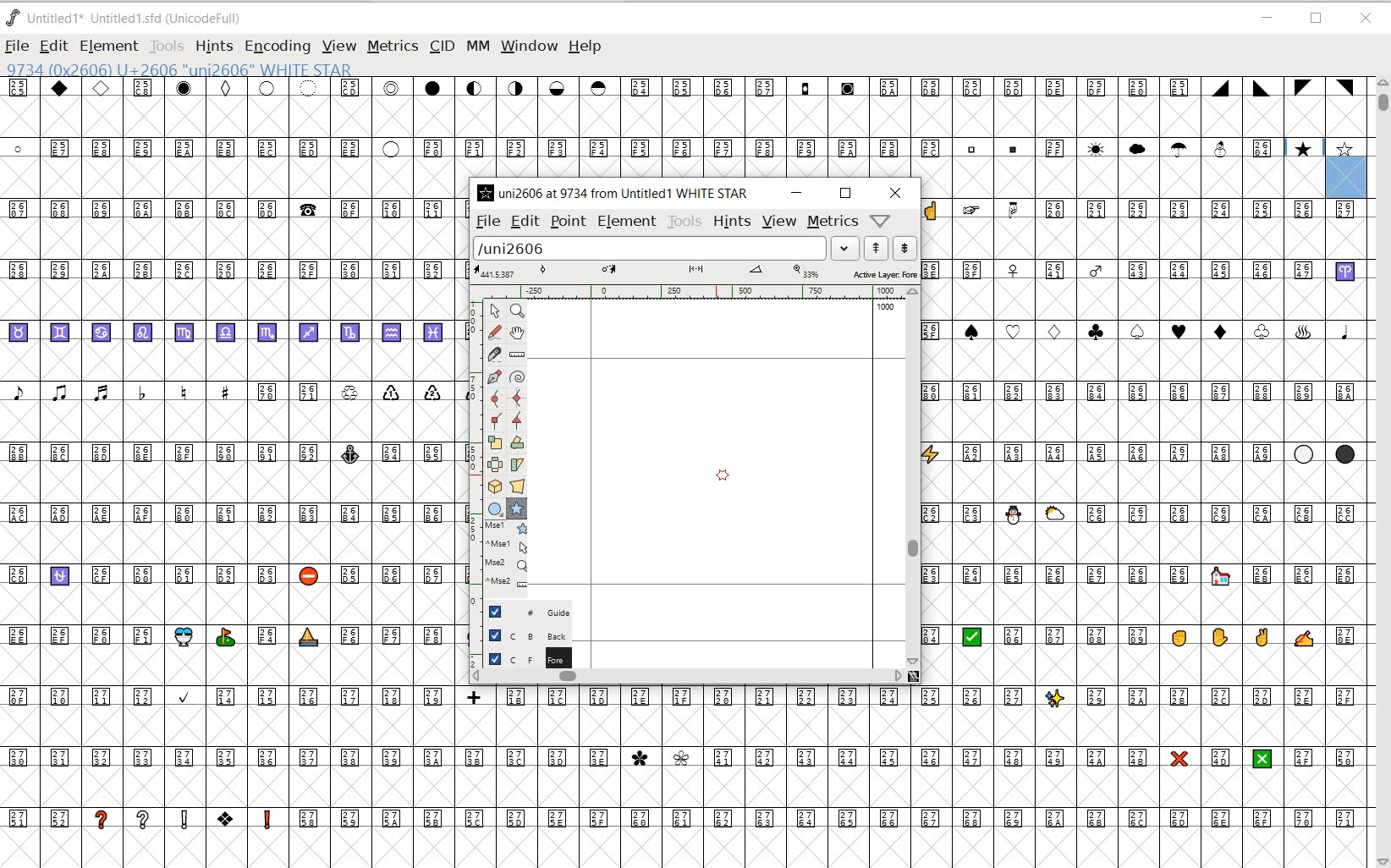 This screenshot has height=868, width=1391. Describe the element at coordinates (626, 223) in the screenshot. I see `ELEMENT` at that location.